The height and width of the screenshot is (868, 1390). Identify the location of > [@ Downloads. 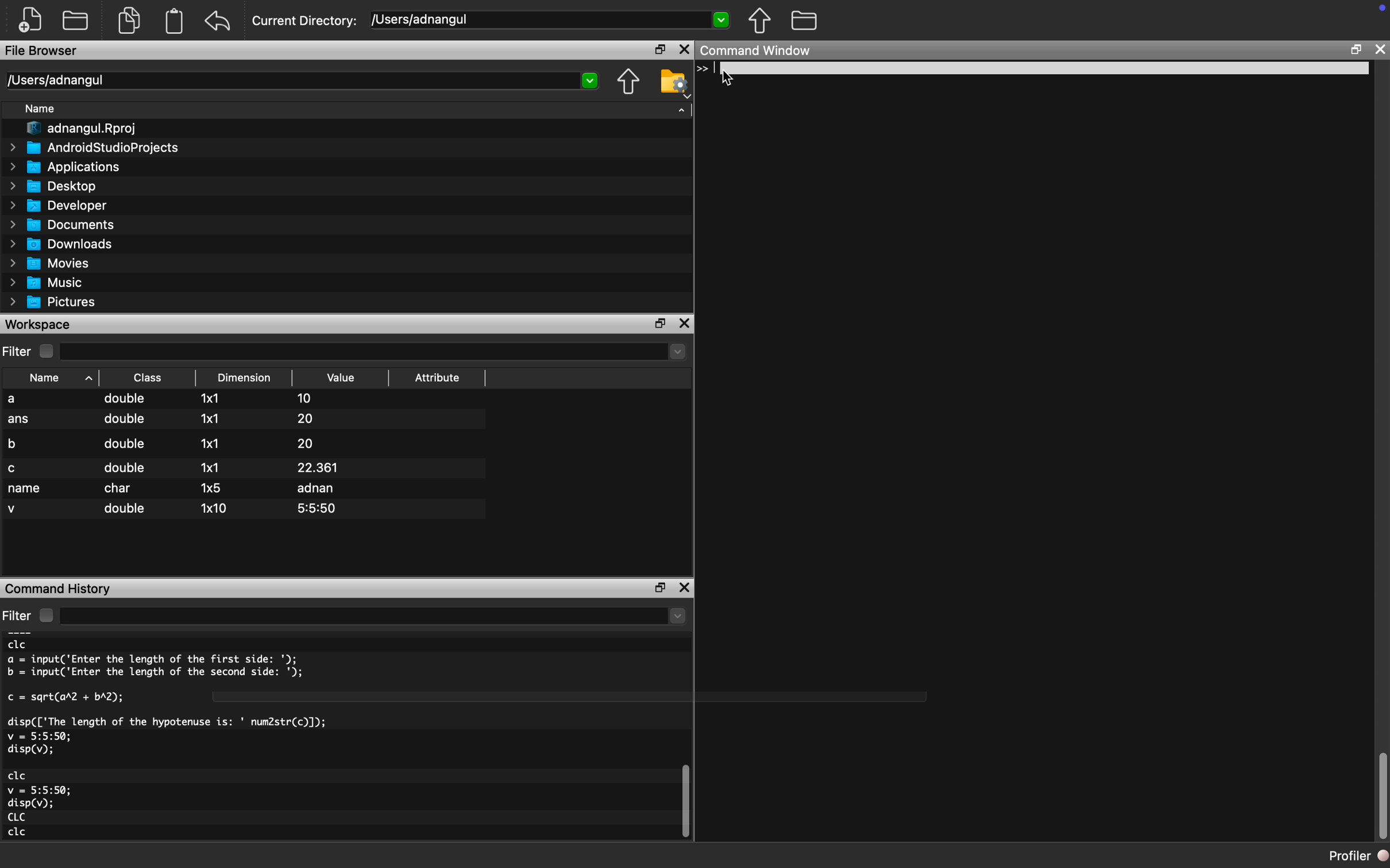
(62, 245).